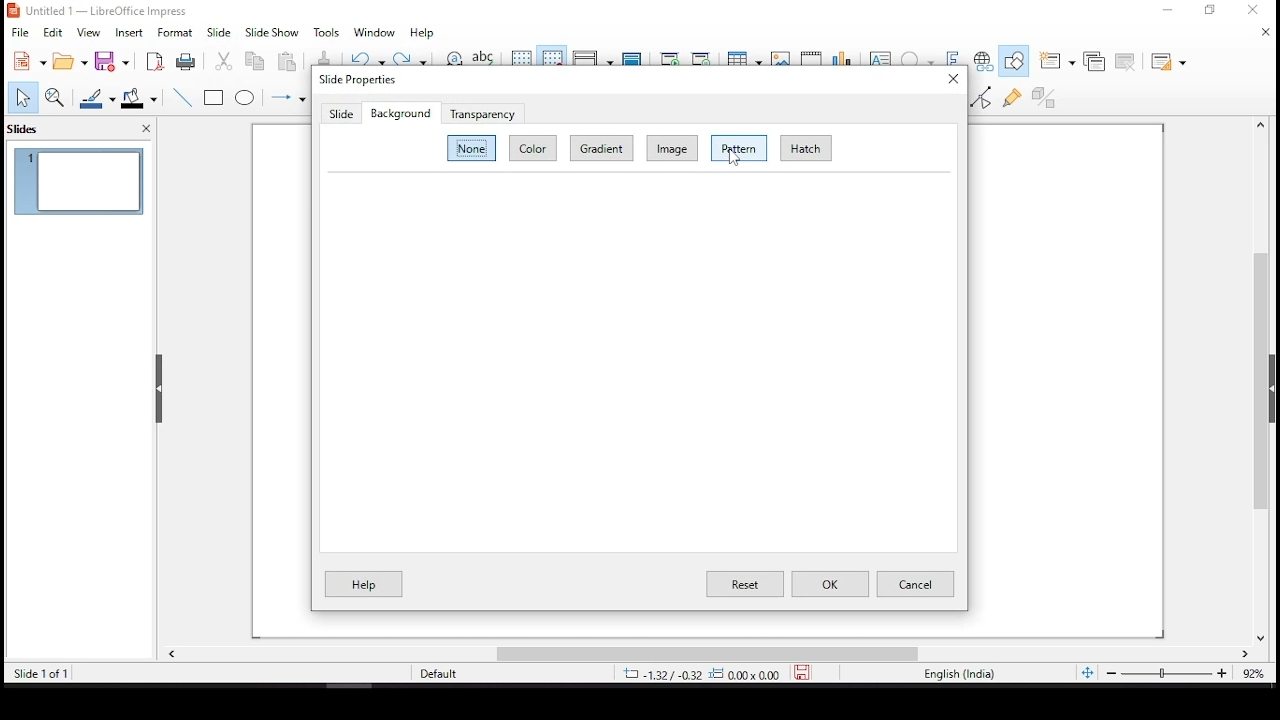  What do you see at coordinates (1258, 11) in the screenshot?
I see `close window` at bounding box center [1258, 11].